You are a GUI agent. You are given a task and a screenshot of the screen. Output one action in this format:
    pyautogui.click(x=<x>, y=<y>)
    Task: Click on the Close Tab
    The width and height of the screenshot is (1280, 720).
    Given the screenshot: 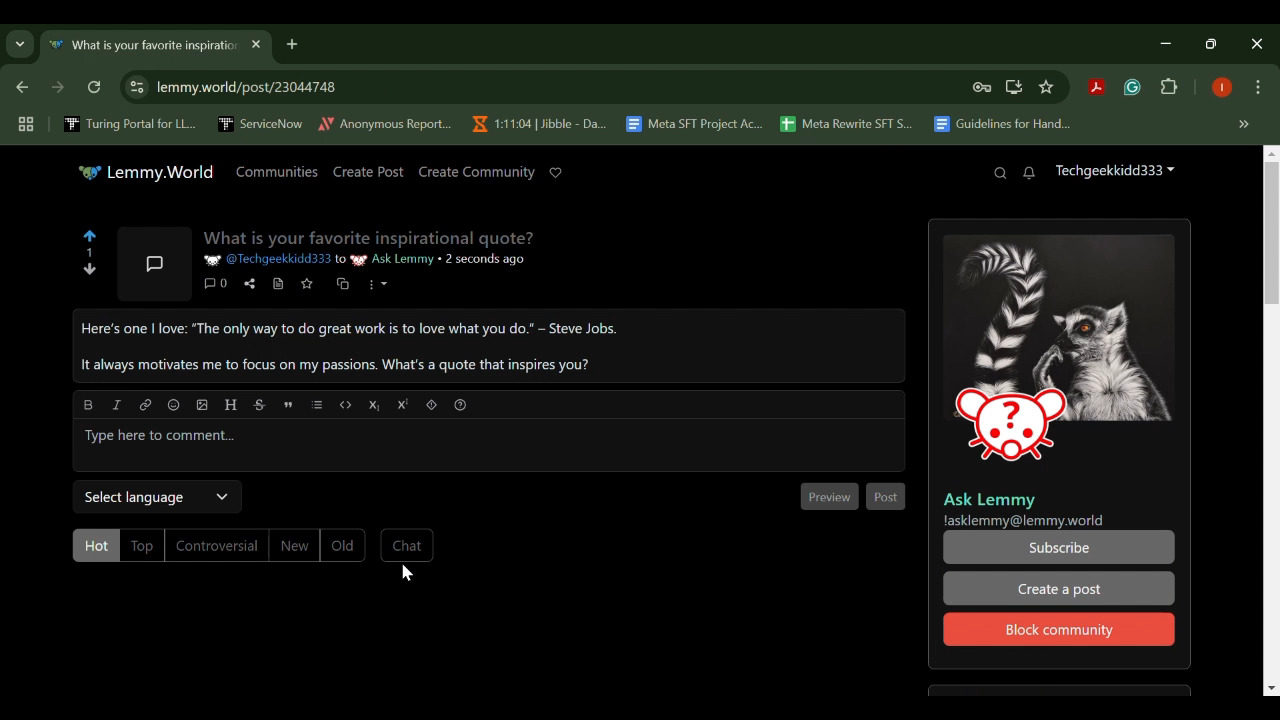 What is the action you would take?
    pyautogui.click(x=254, y=44)
    